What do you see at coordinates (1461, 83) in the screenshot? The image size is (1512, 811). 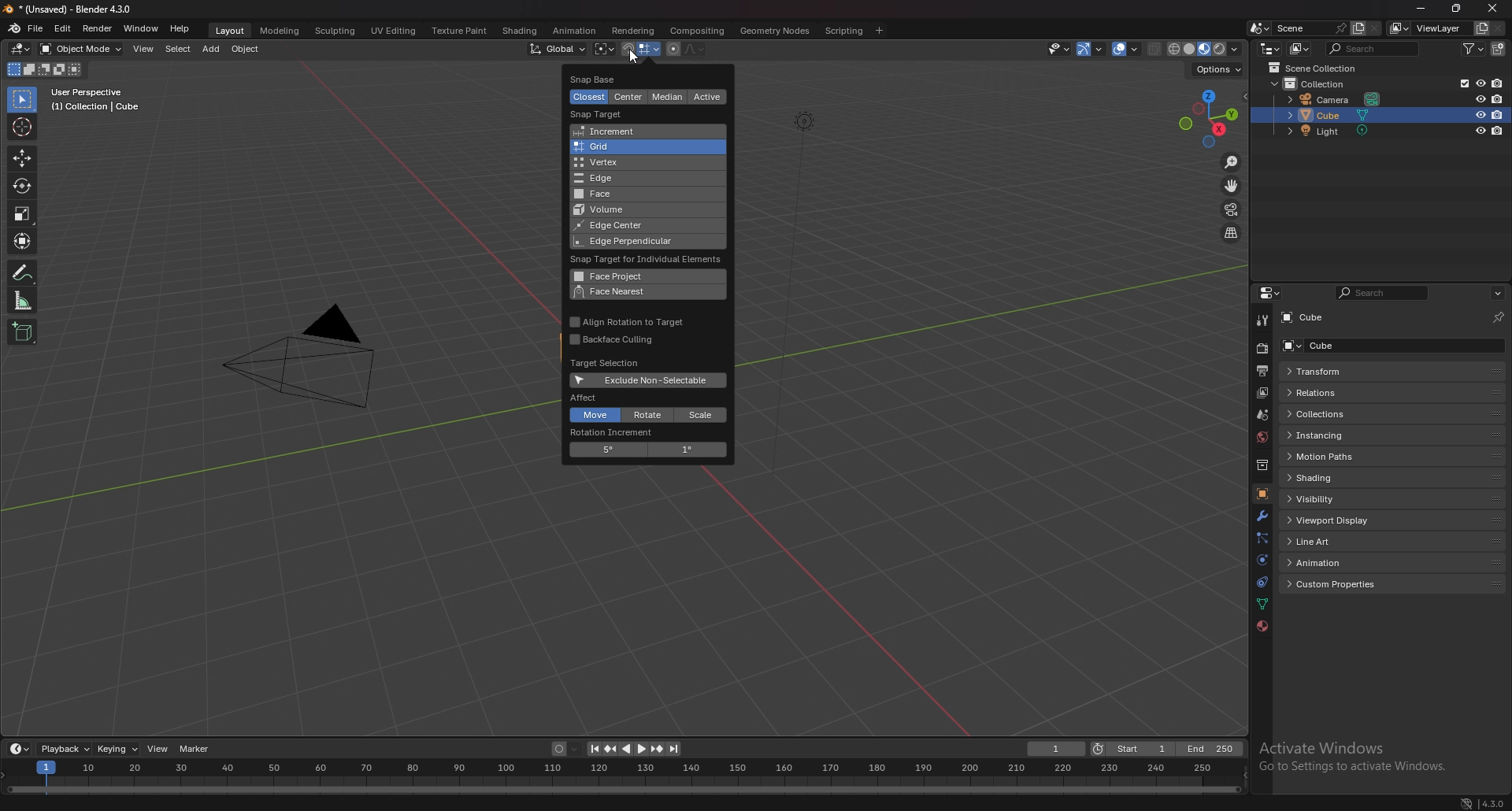 I see `exclude from view layer` at bounding box center [1461, 83].